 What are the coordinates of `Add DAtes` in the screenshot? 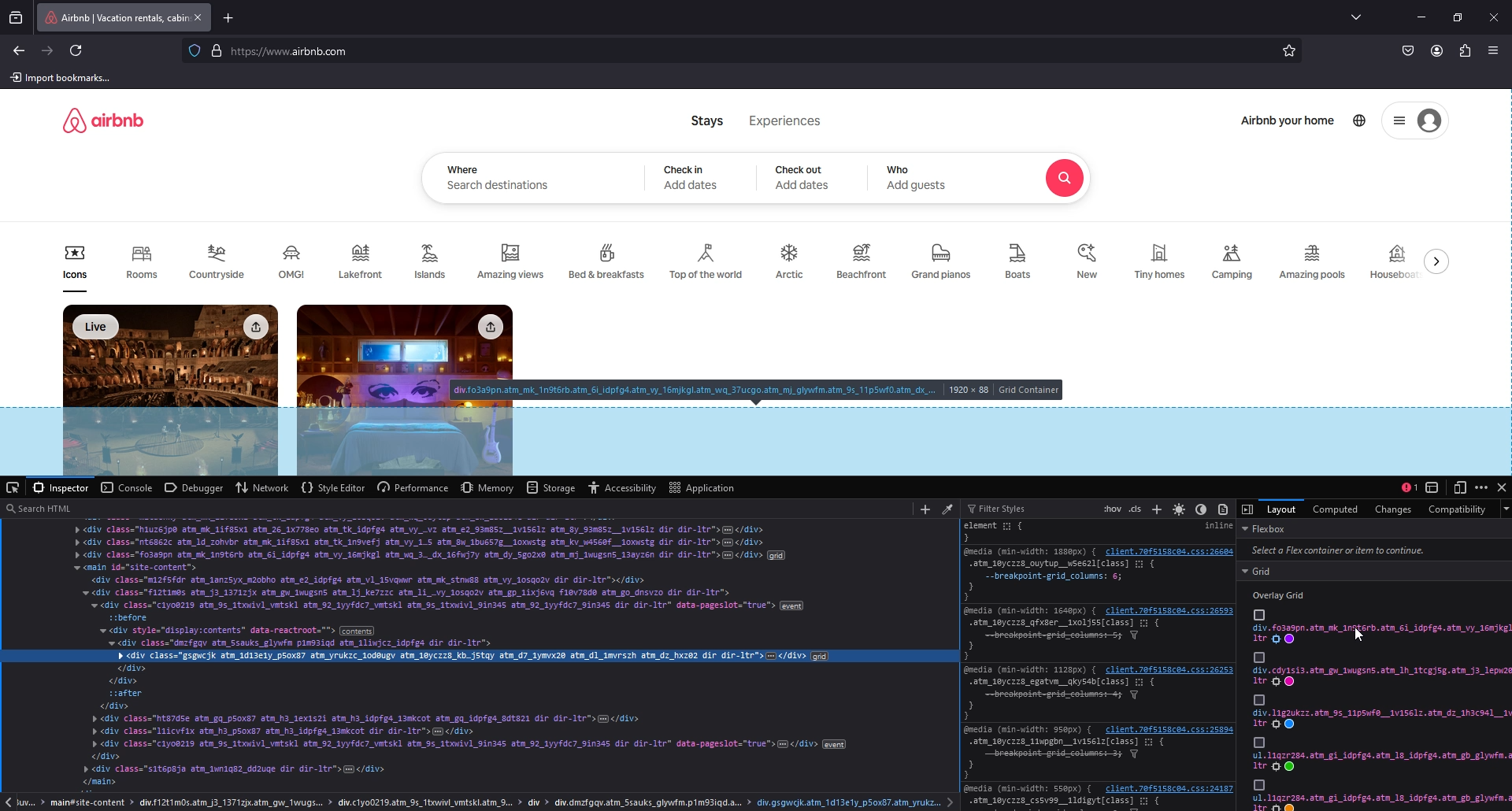 It's located at (693, 185).